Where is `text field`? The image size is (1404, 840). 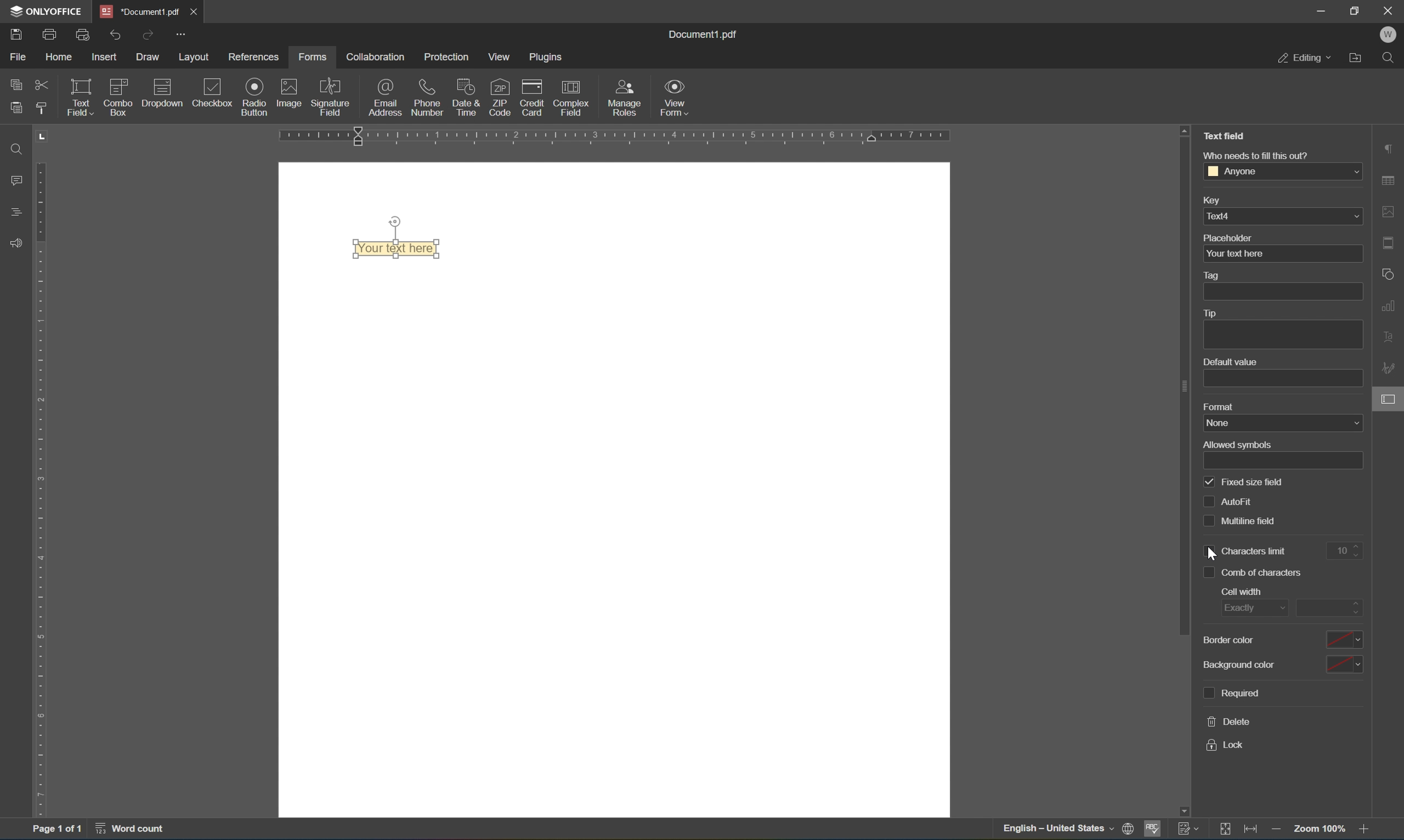
text field is located at coordinates (78, 97).